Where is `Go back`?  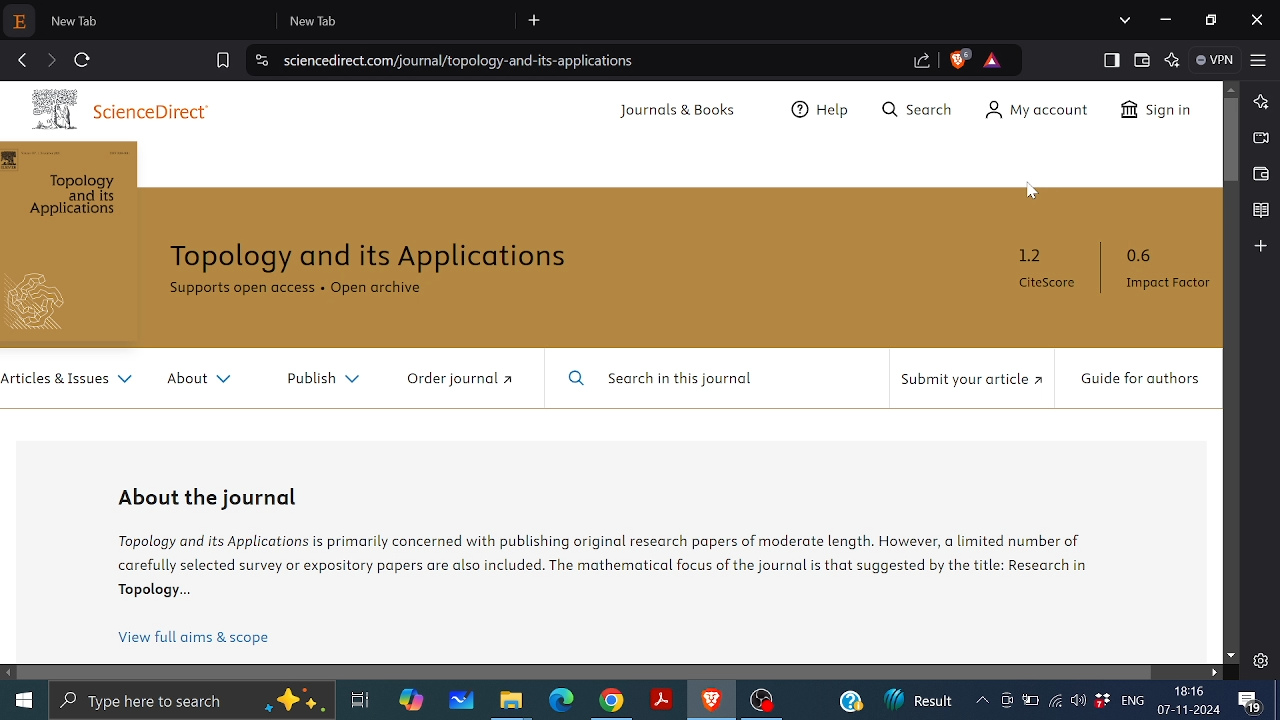
Go back is located at coordinates (22, 58).